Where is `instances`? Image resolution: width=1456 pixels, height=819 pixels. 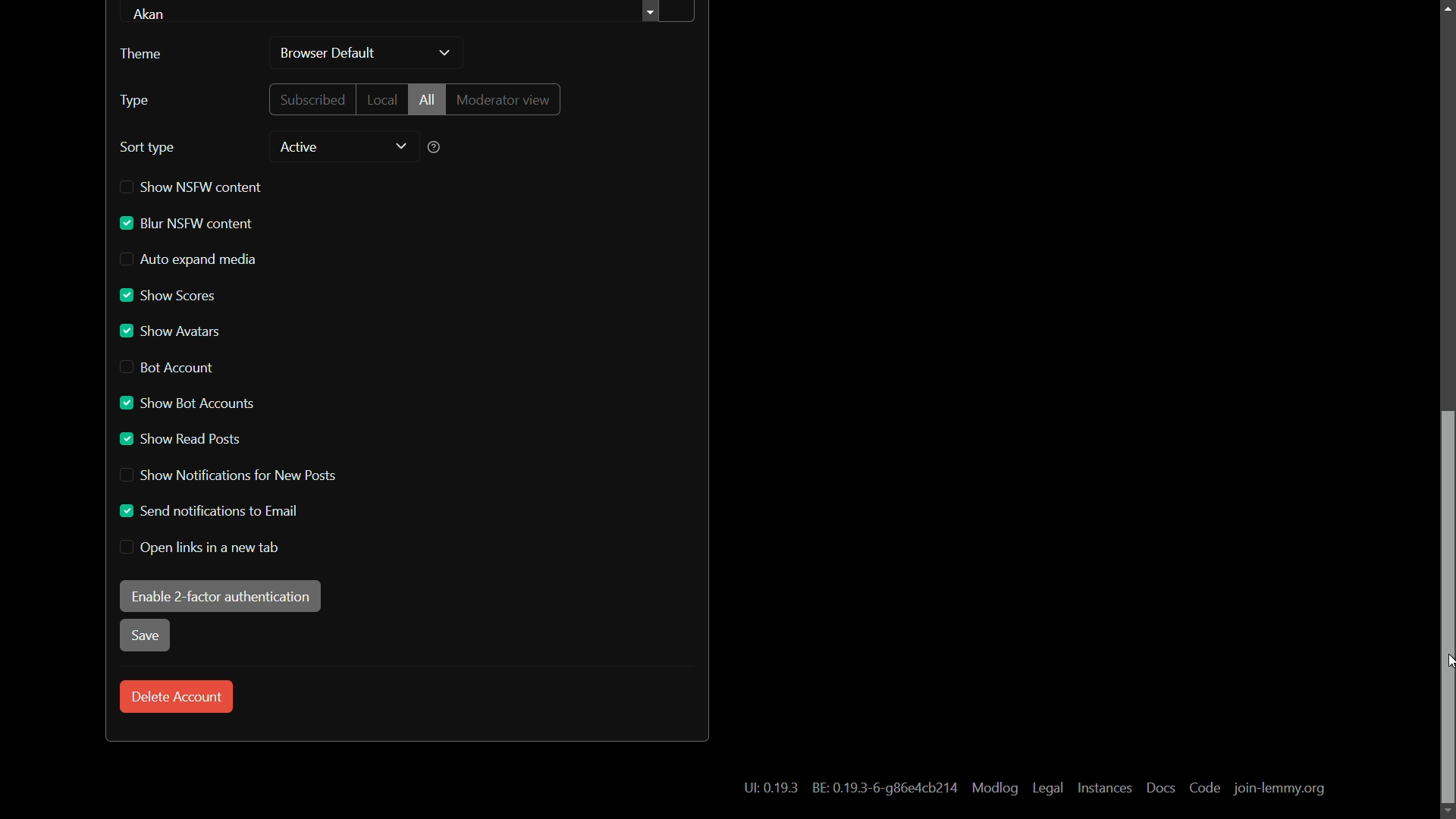 instances is located at coordinates (1106, 788).